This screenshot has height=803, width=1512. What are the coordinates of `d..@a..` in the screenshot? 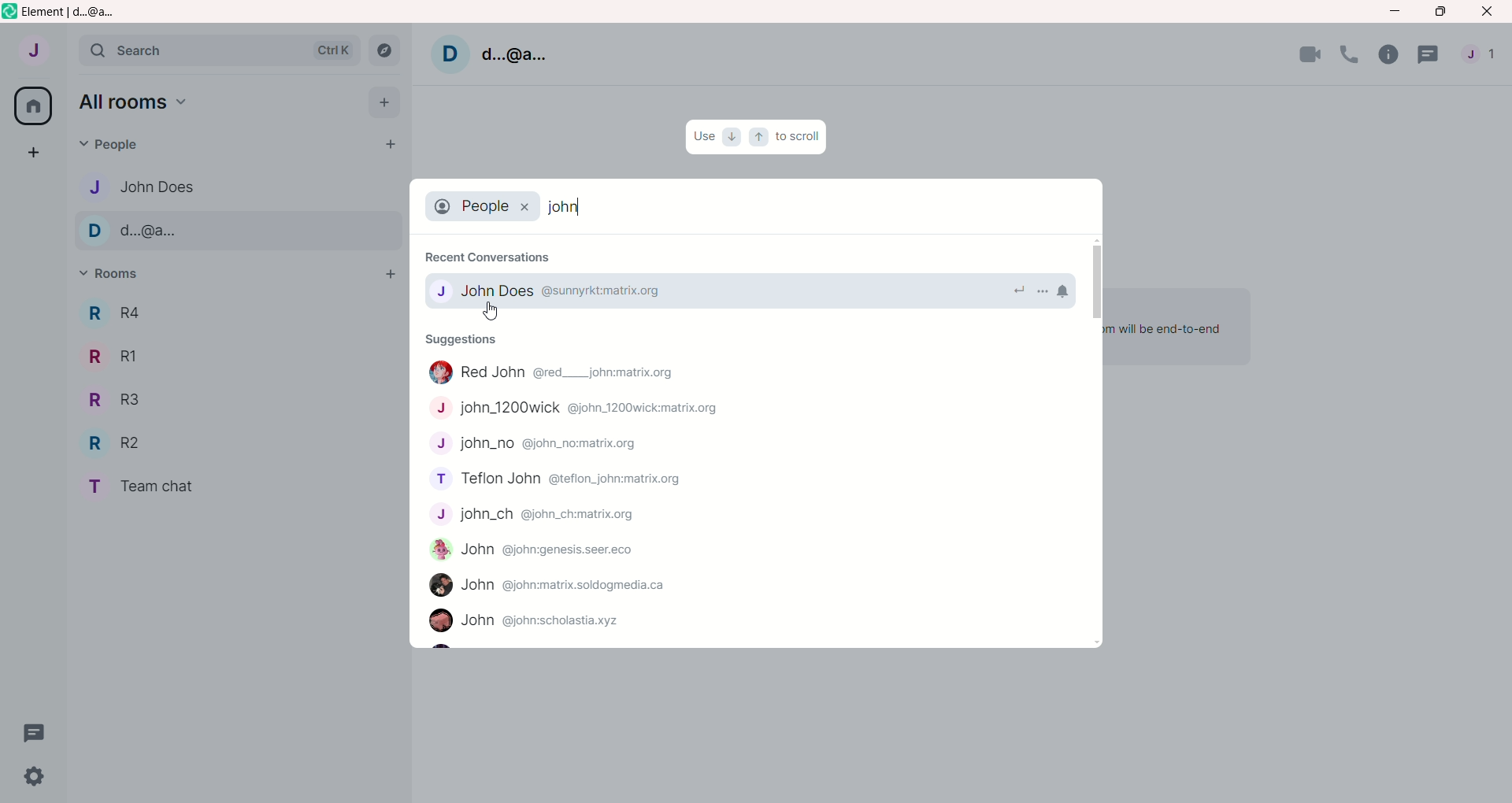 It's located at (513, 52).